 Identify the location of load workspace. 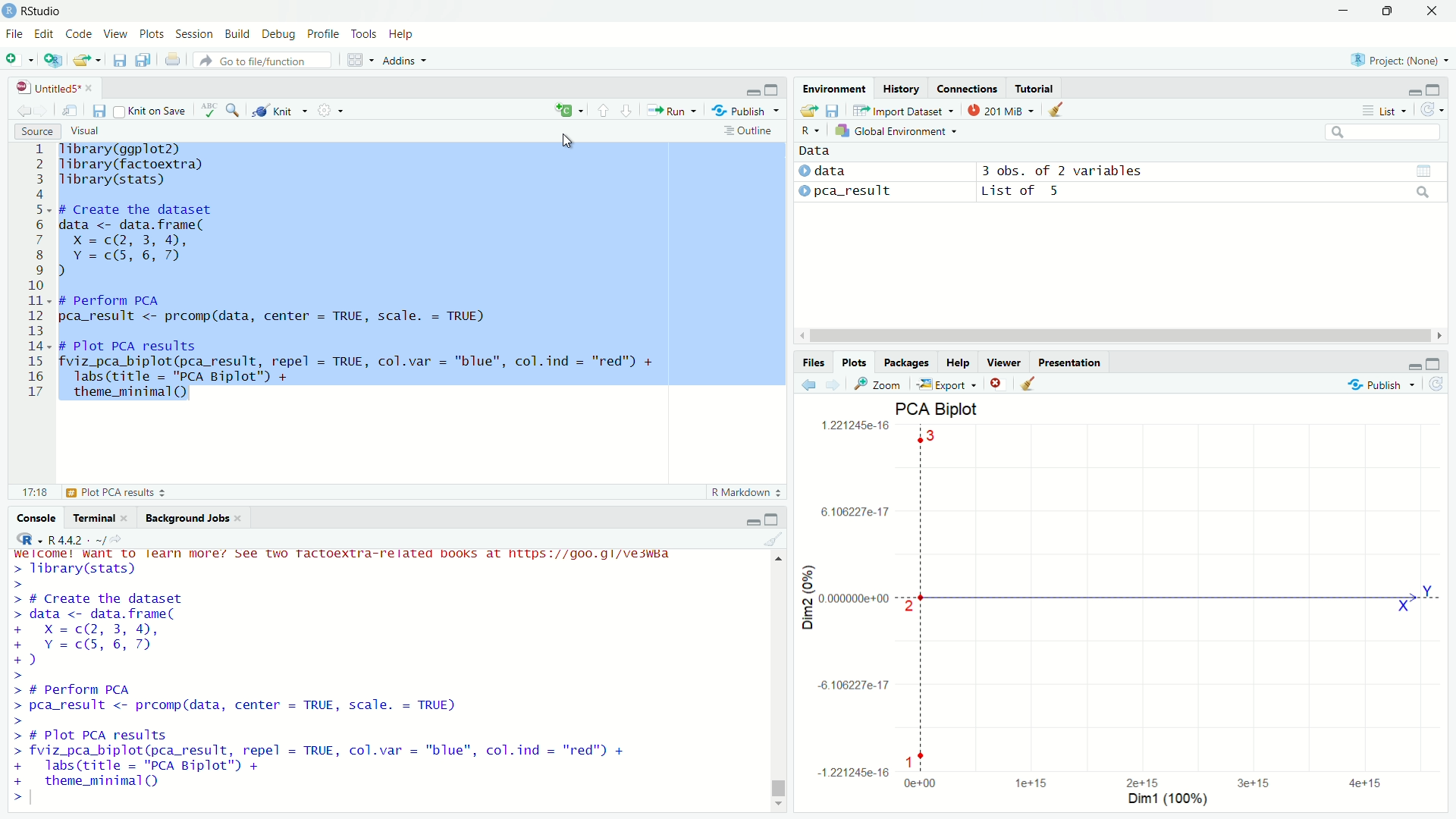
(810, 109).